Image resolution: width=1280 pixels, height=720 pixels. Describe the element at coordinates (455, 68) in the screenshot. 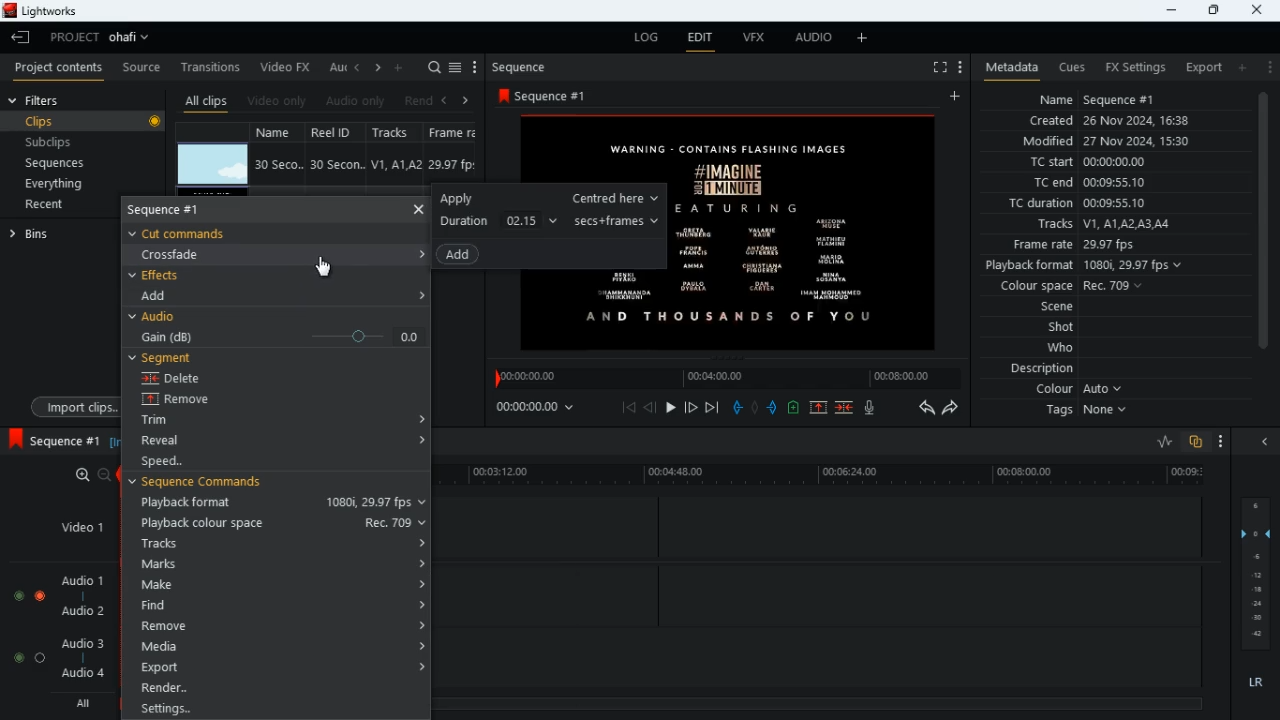

I see `list` at that location.